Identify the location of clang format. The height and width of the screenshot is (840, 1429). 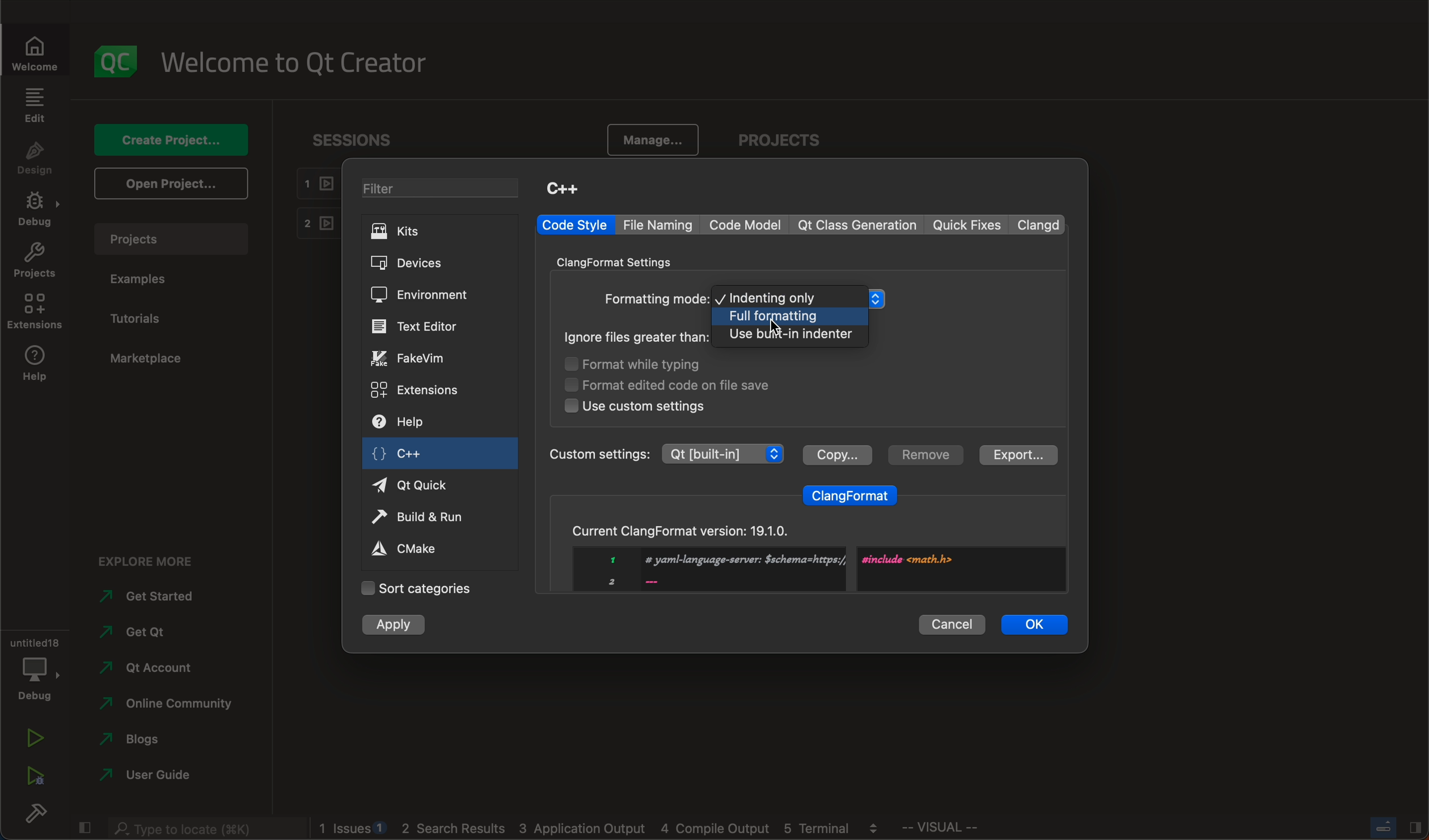
(851, 493).